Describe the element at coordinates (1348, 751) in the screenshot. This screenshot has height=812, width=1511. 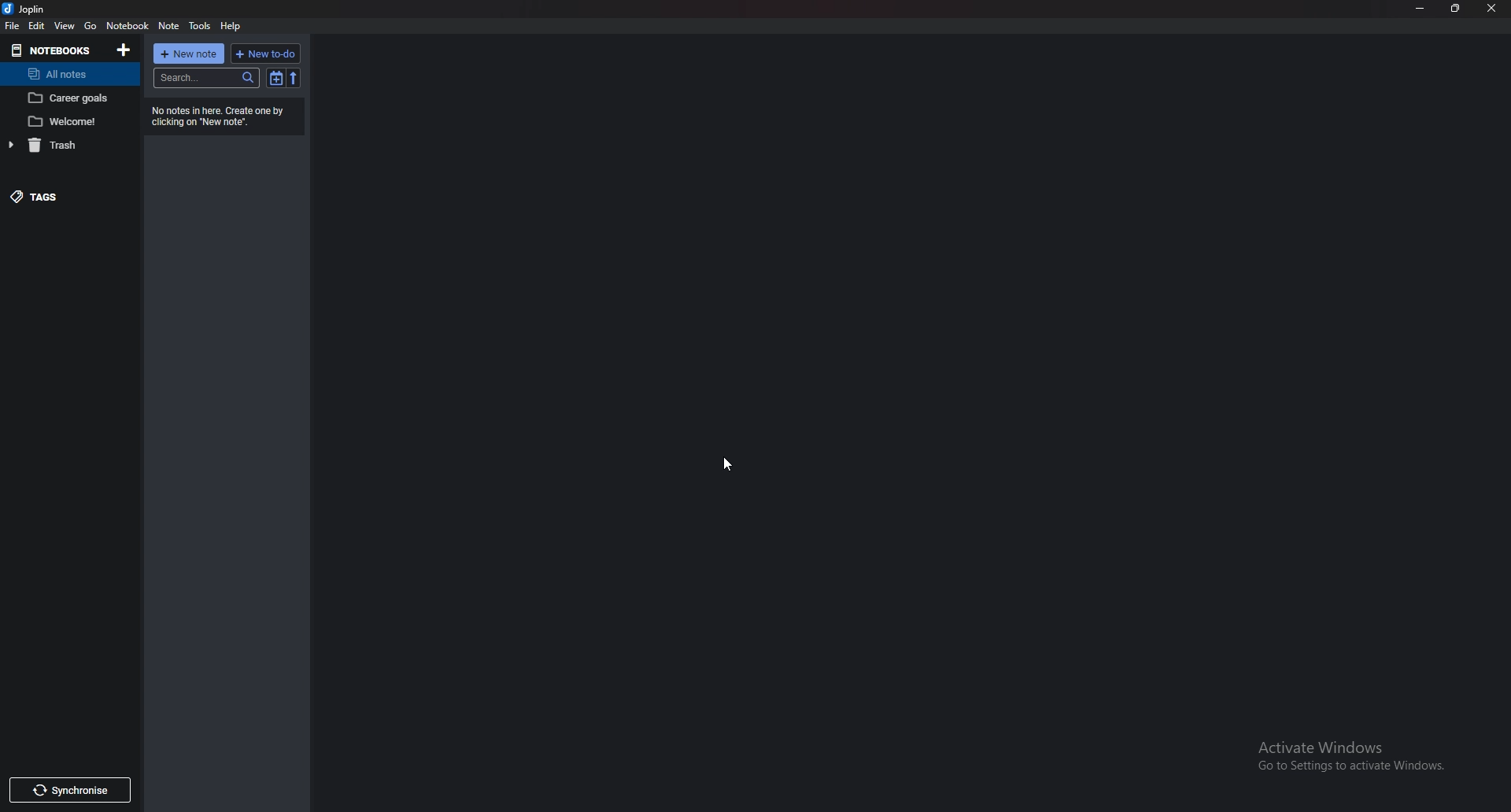
I see `Activate Windows` at that location.